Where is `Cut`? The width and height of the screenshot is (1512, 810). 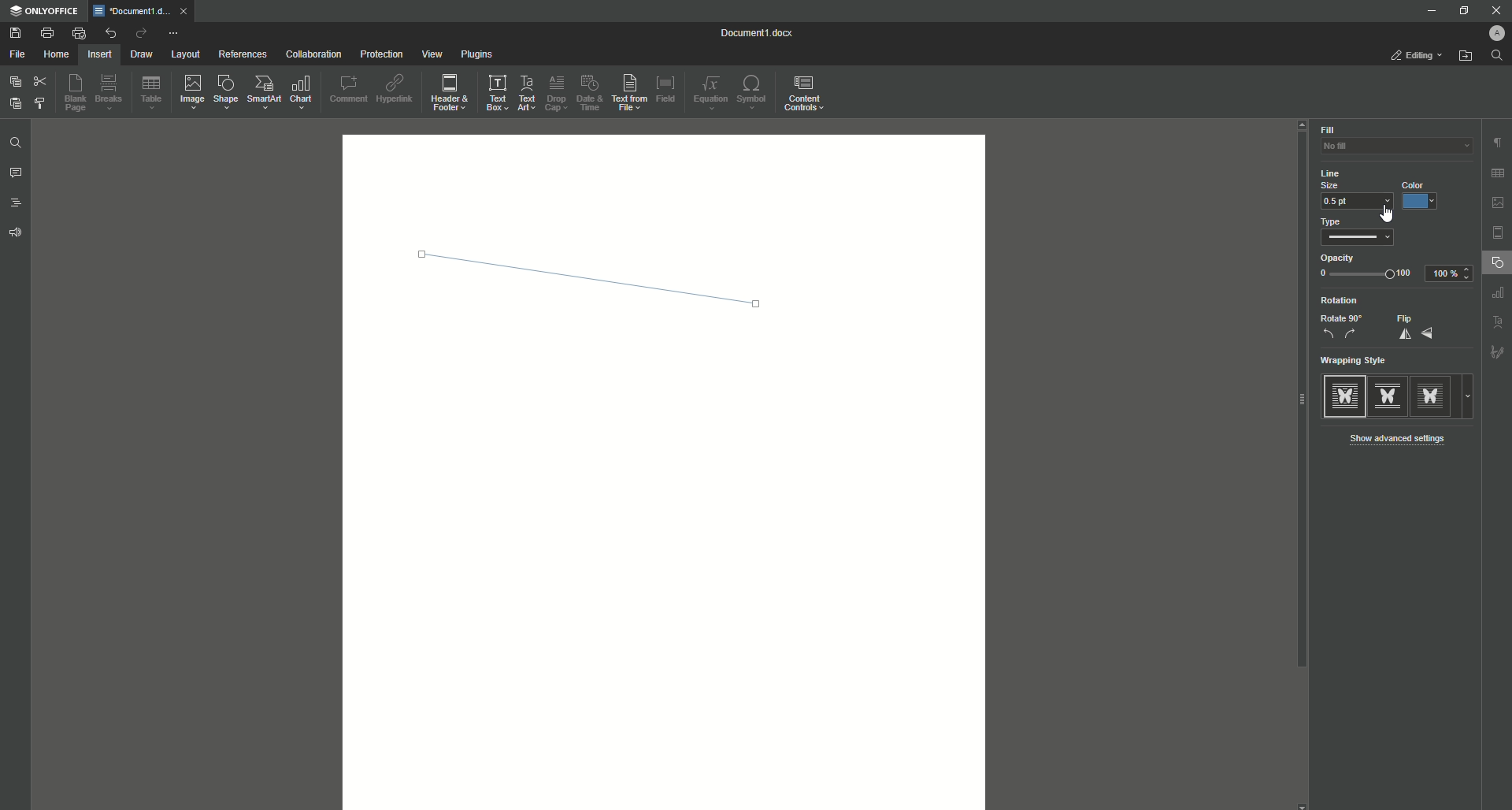 Cut is located at coordinates (39, 81).